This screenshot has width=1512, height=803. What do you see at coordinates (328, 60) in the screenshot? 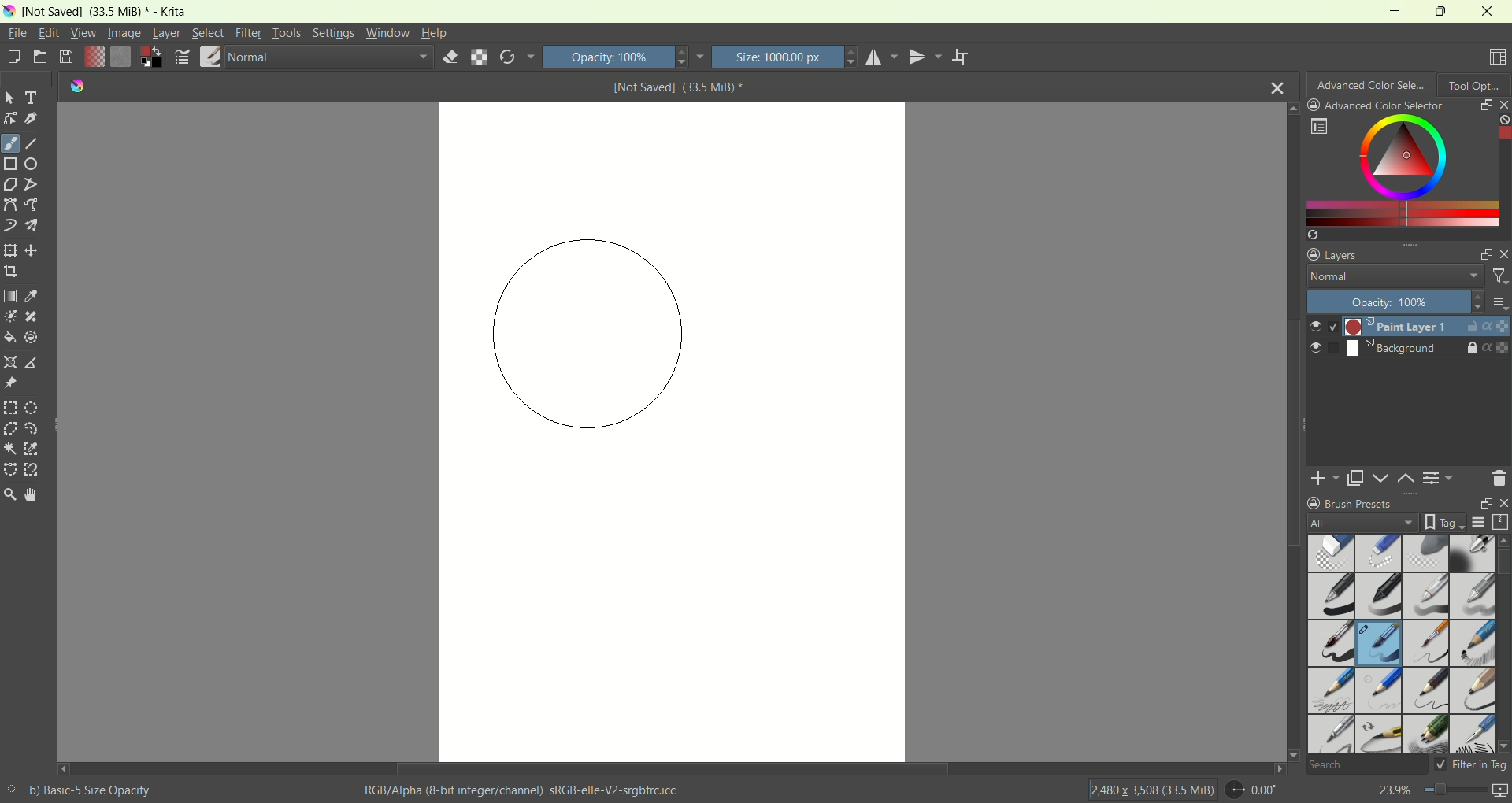
I see `normal` at bounding box center [328, 60].